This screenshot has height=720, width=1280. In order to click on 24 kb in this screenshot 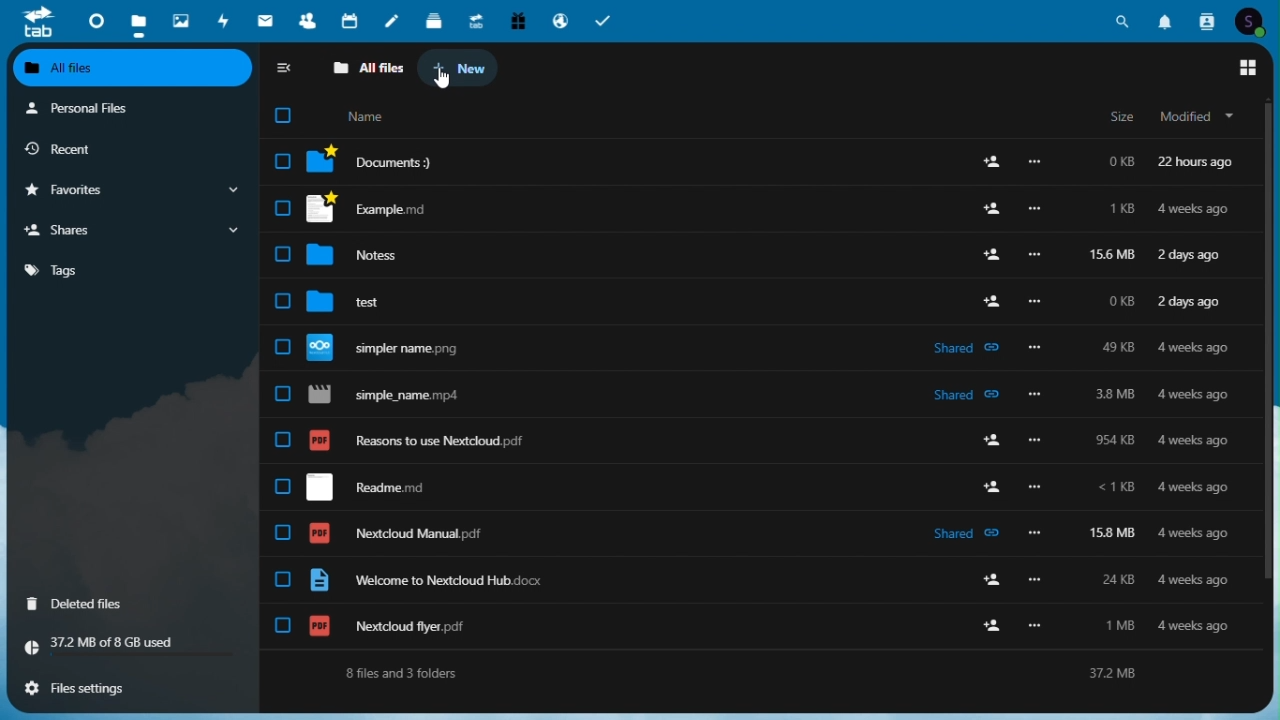, I will do `click(1113, 579)`.